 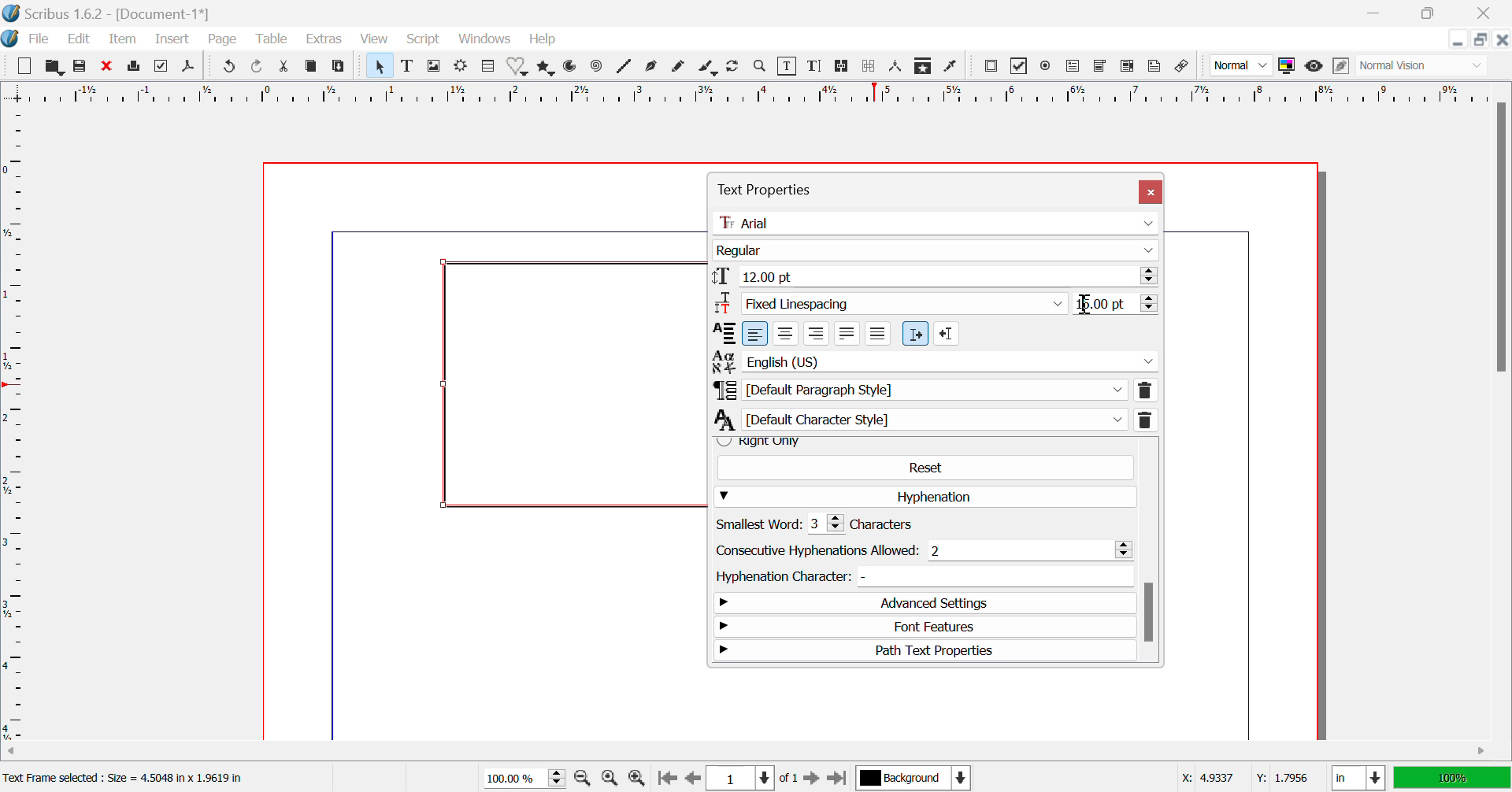 I want to click on Table, so click(x=488, y=67).